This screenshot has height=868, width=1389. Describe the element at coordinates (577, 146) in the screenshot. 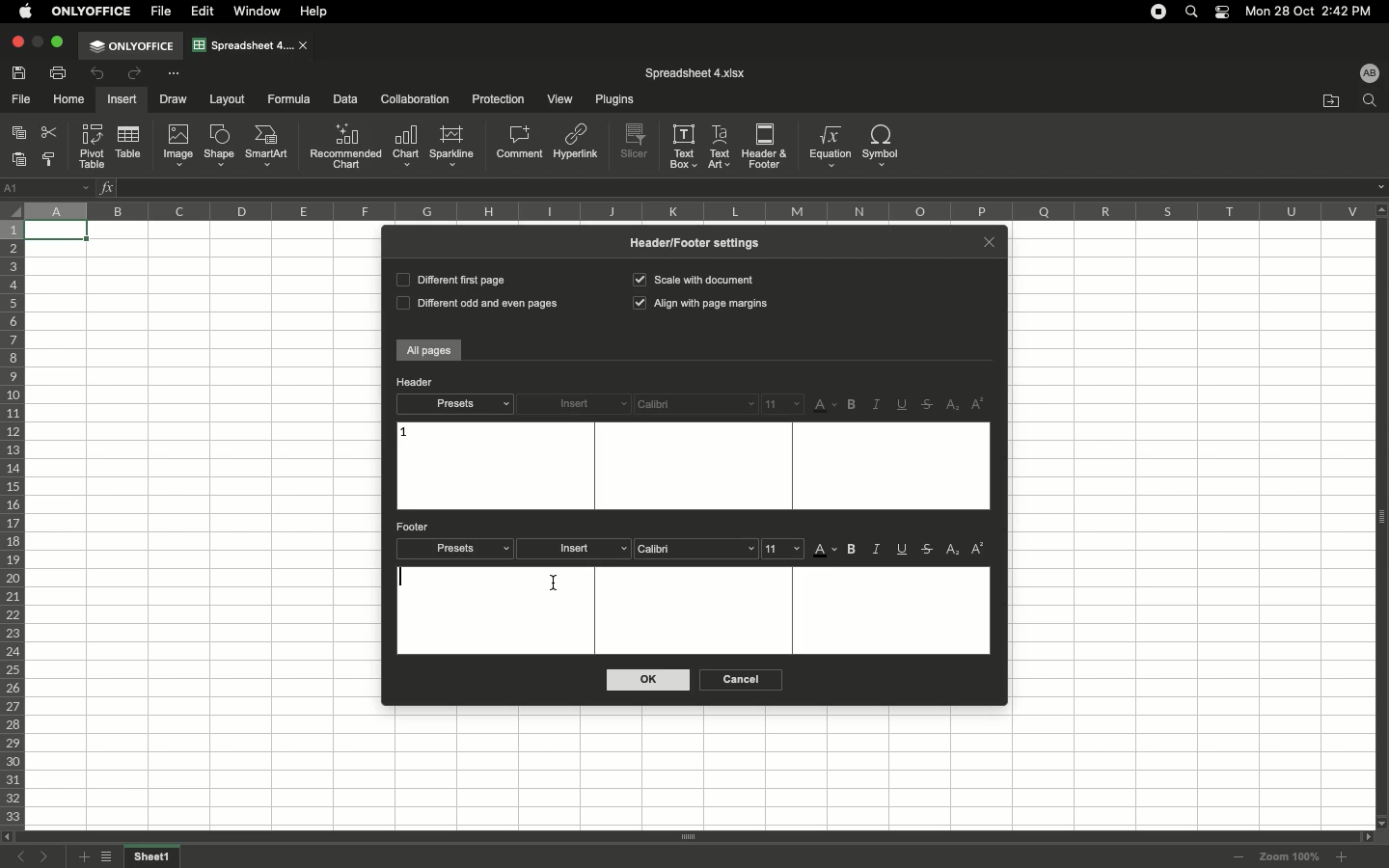

I see `Hyperlink` at that location.